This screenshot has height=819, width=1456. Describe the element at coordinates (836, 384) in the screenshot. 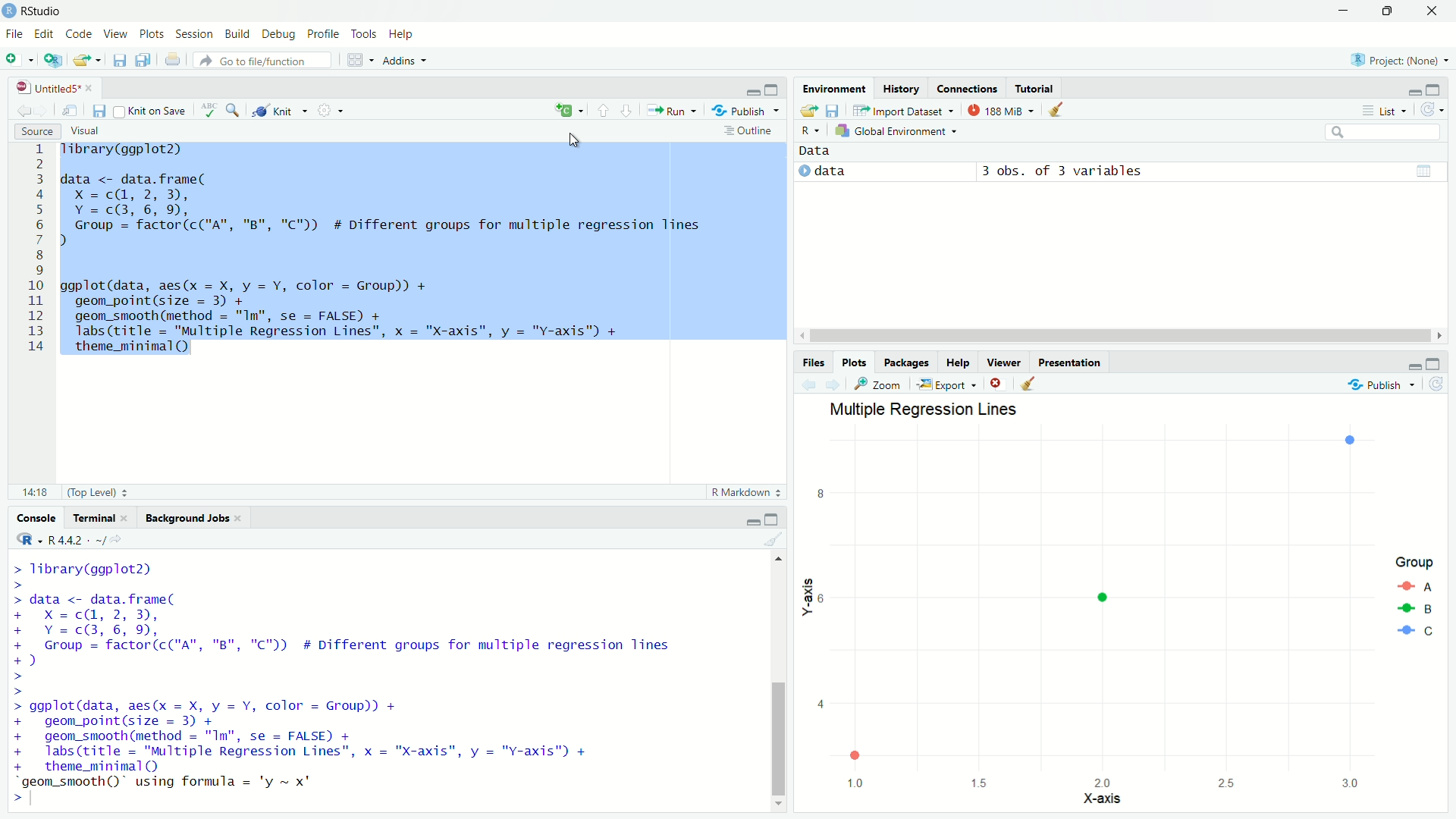

I see `forward` at that location.